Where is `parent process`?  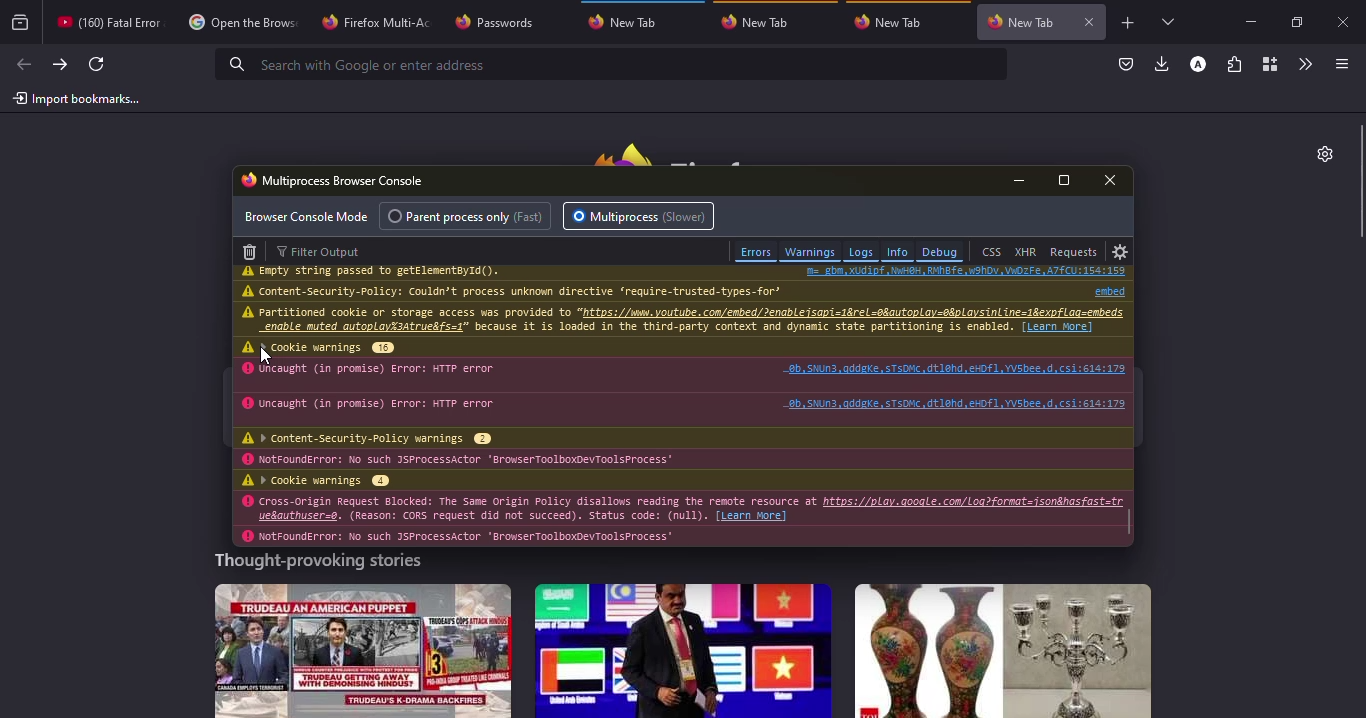 parent process is located at coordinates (469, 216).